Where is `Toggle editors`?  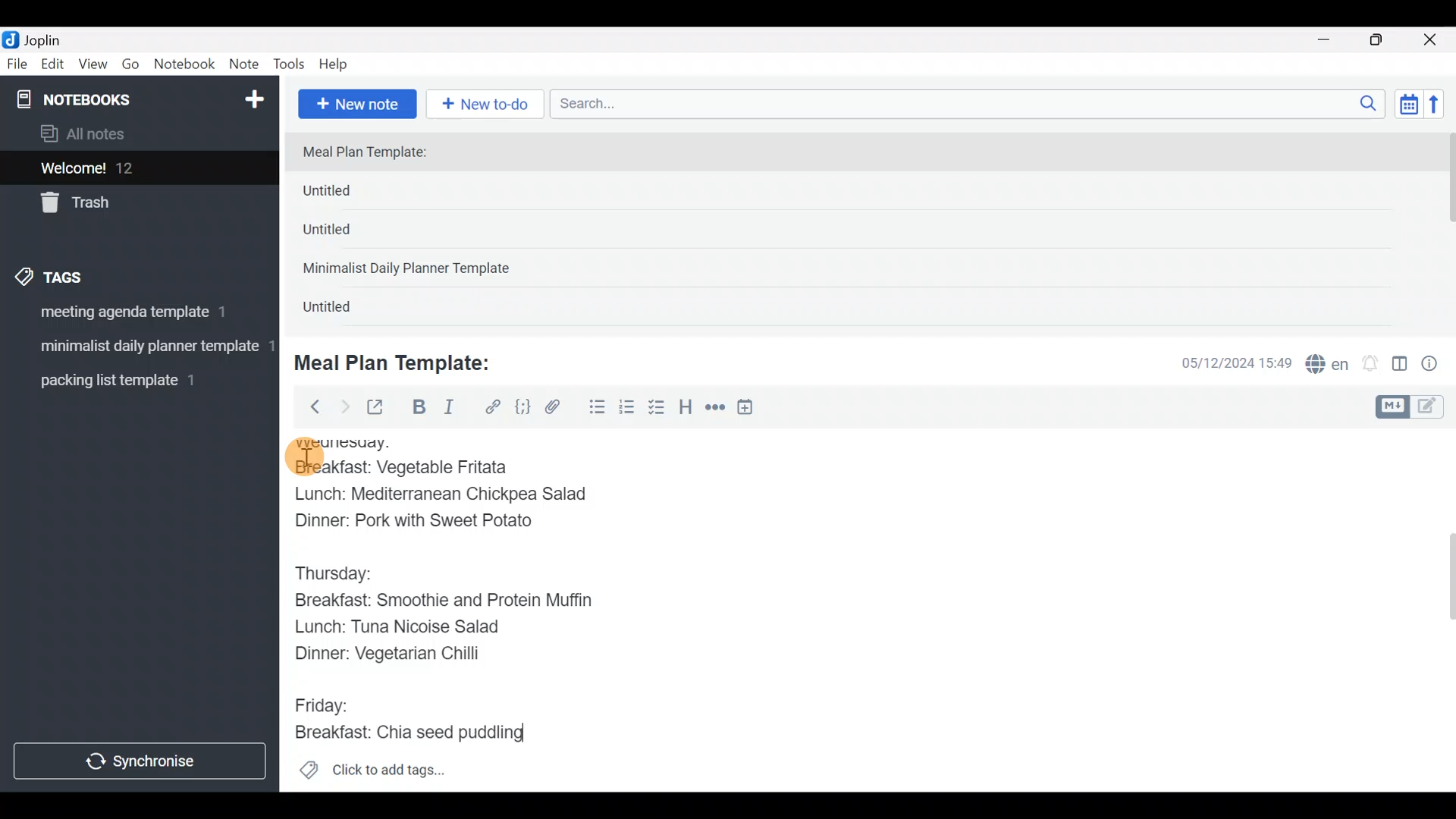
Toggle editors is located at coordinates (1414, 405).